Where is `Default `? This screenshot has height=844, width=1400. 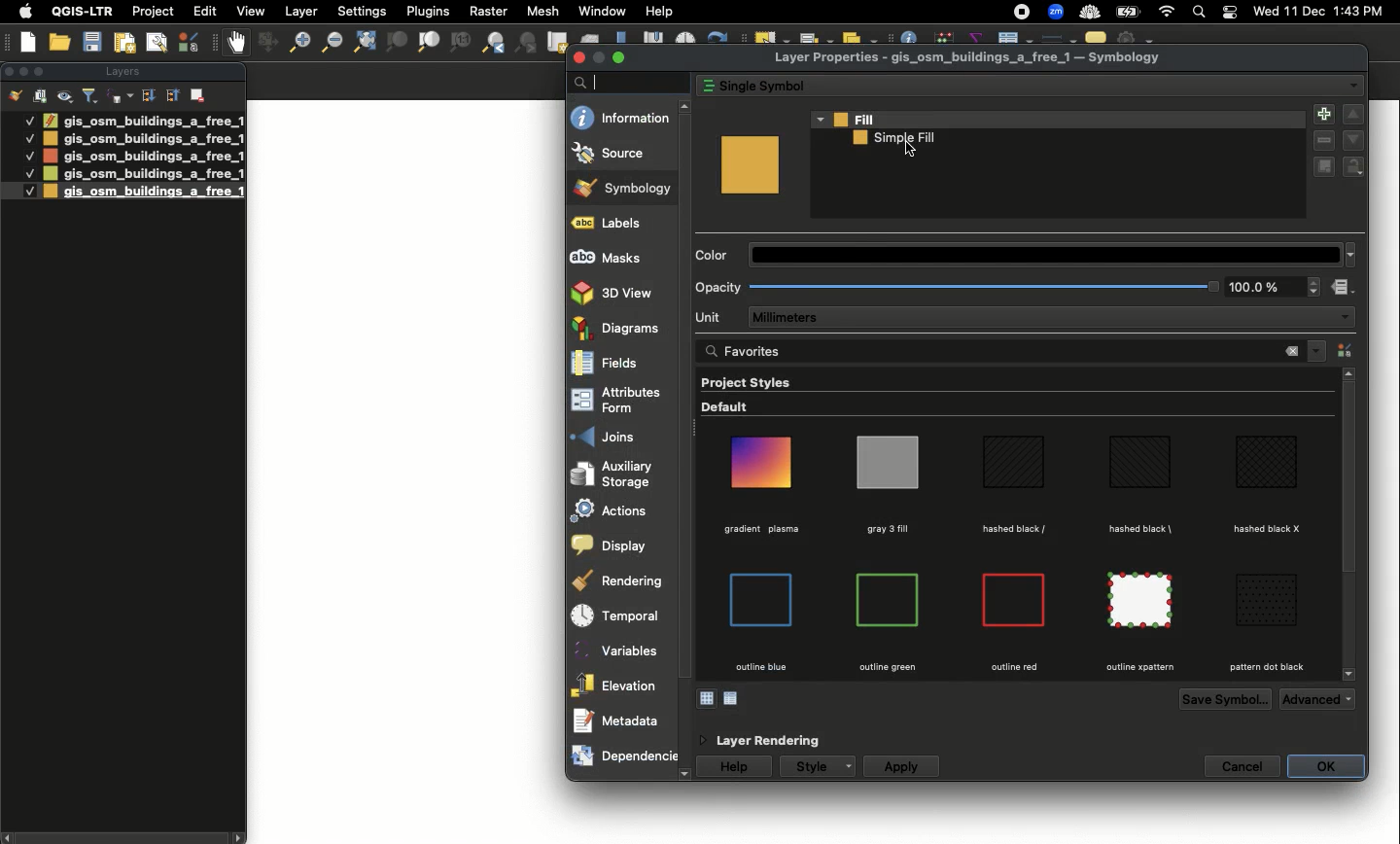 Default  is located at coordinates (729, 408).